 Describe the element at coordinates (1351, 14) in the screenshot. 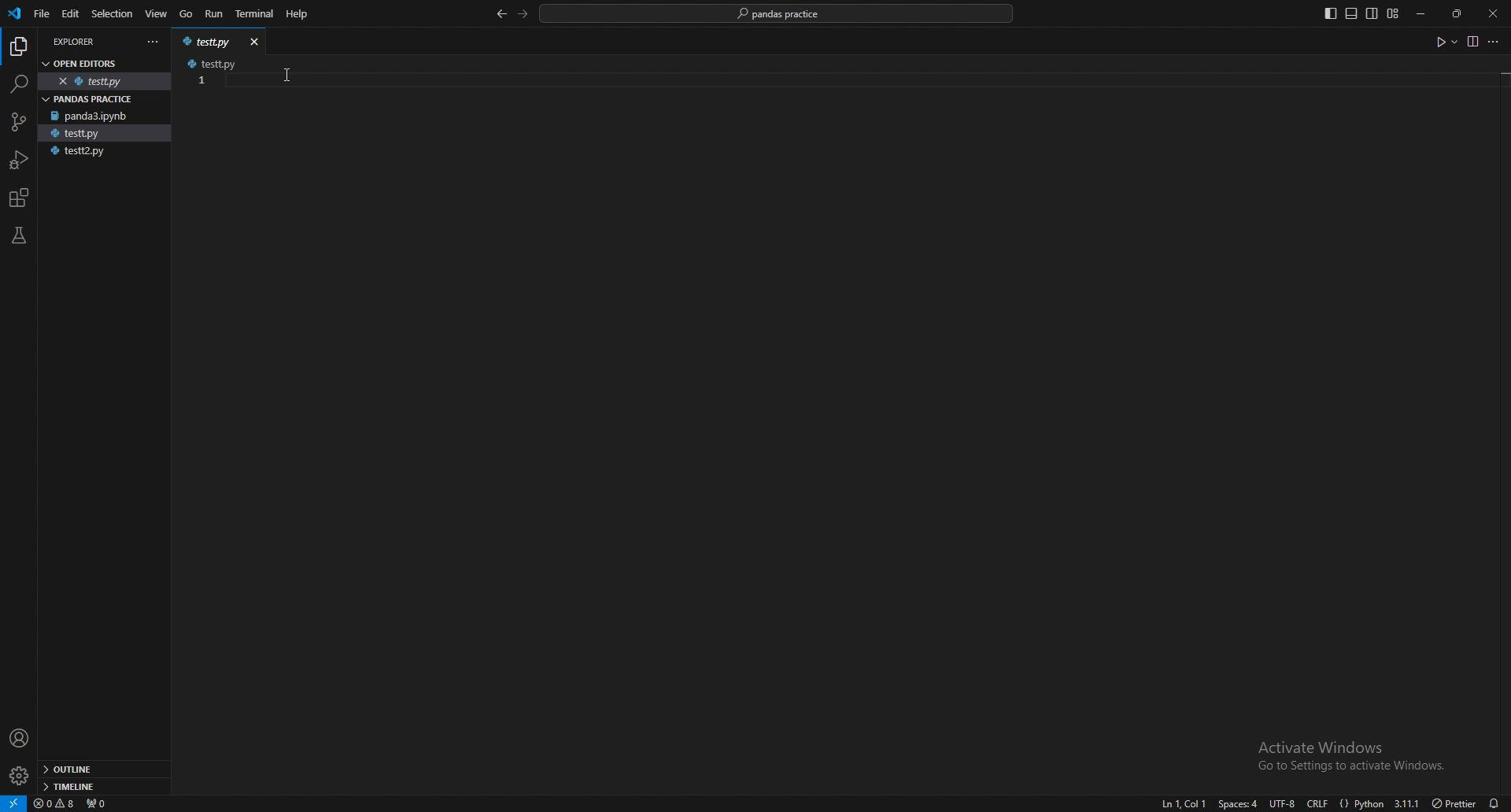

I see `toggle panel` at that location.